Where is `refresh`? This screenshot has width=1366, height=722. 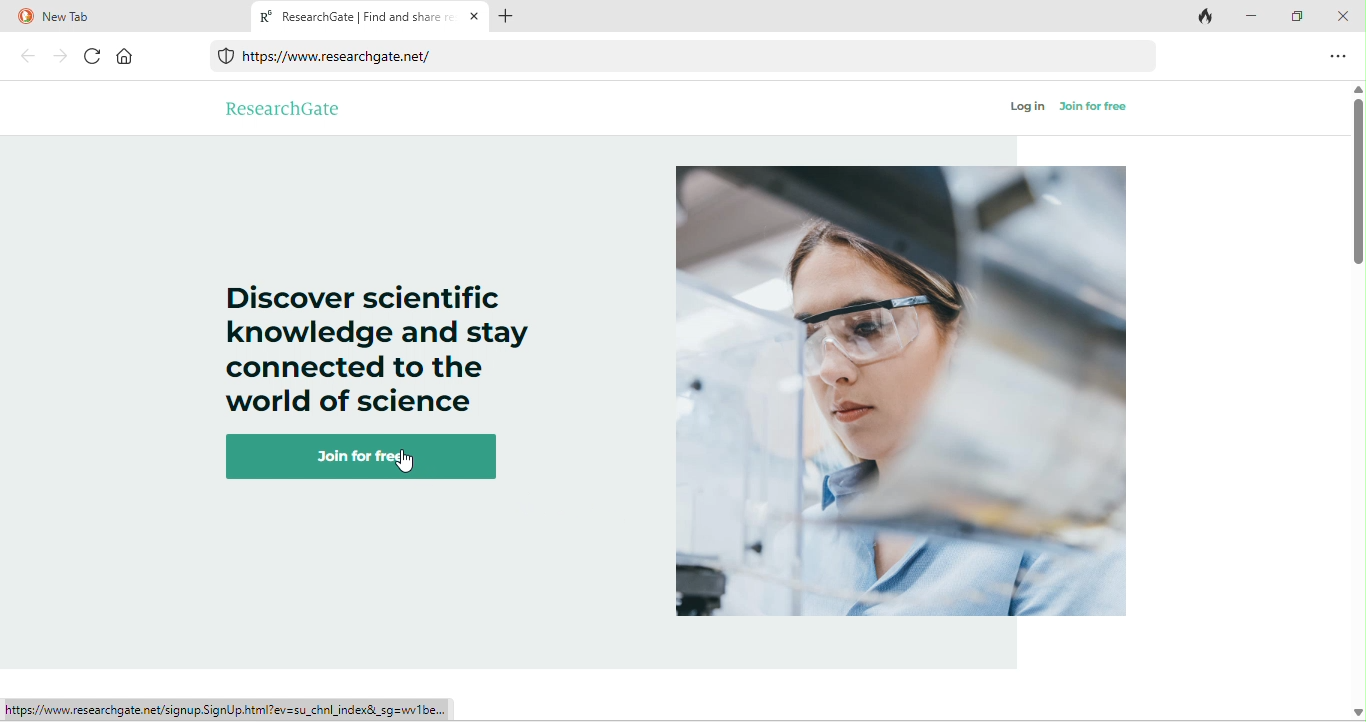
refresh is located at coordinates (94, 56).